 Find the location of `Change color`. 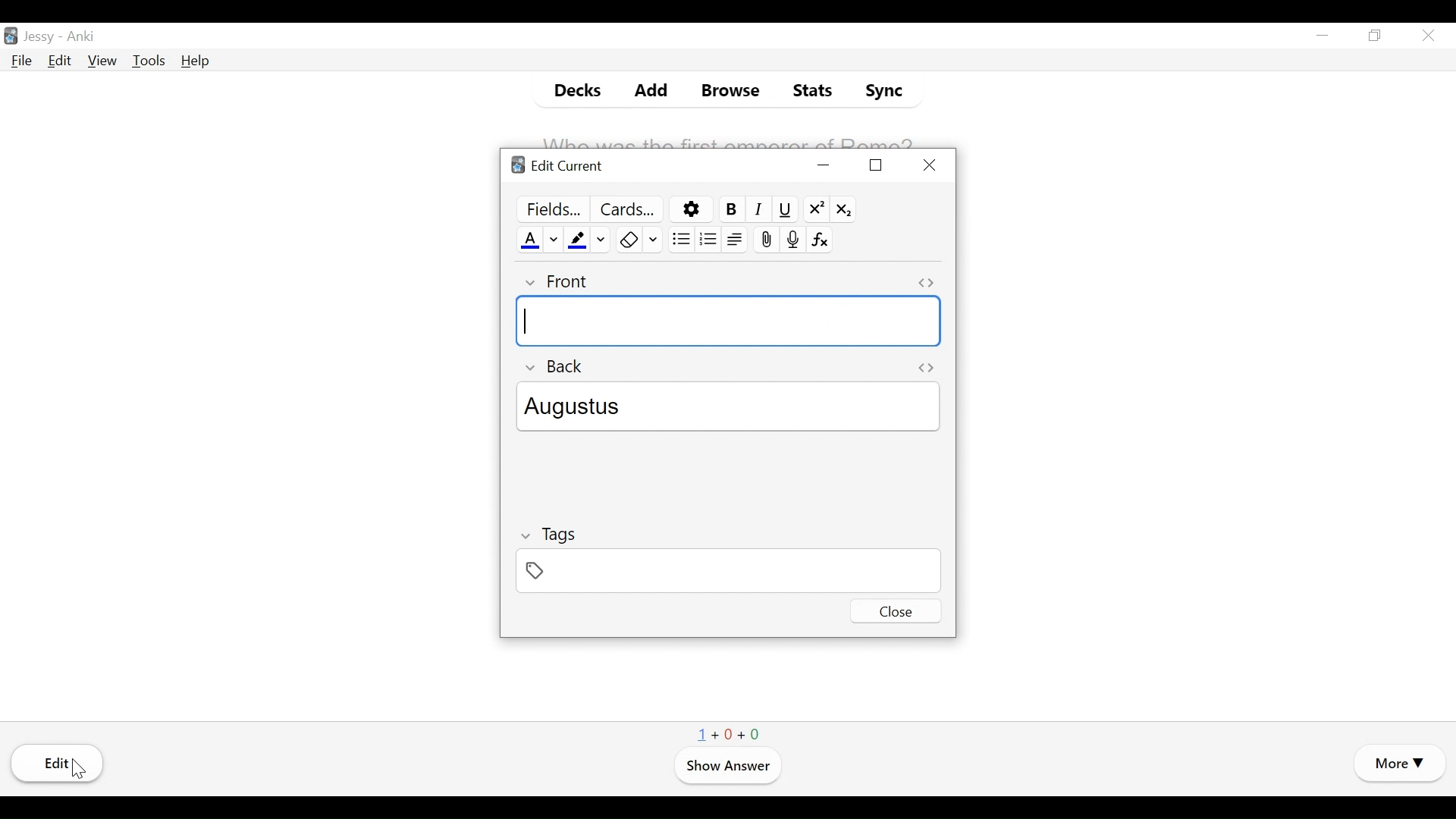

Change color is located at coordinates (602, 238).